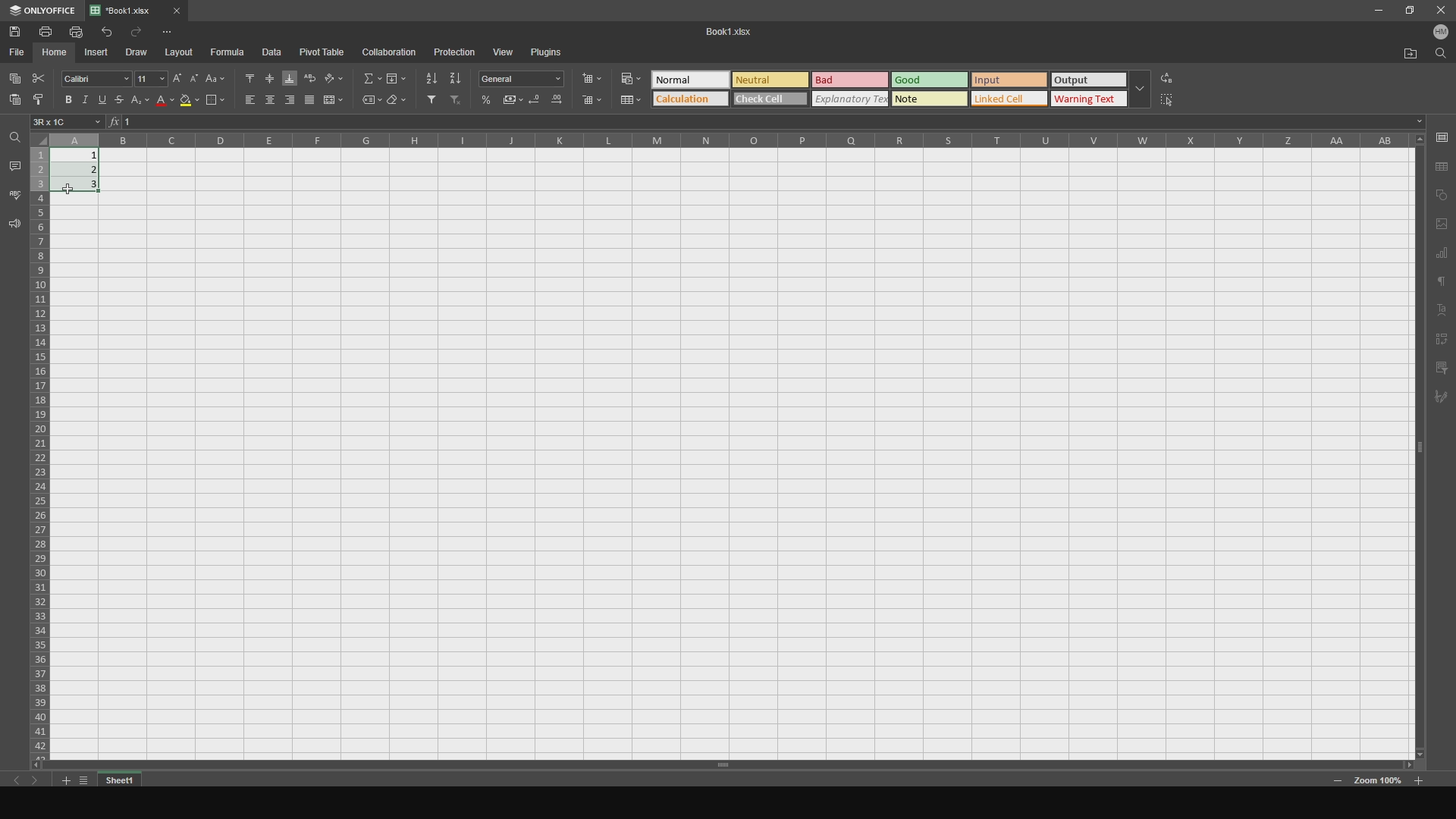 The image size is (1456, 819). I want to click on justified, so click(309, 101).